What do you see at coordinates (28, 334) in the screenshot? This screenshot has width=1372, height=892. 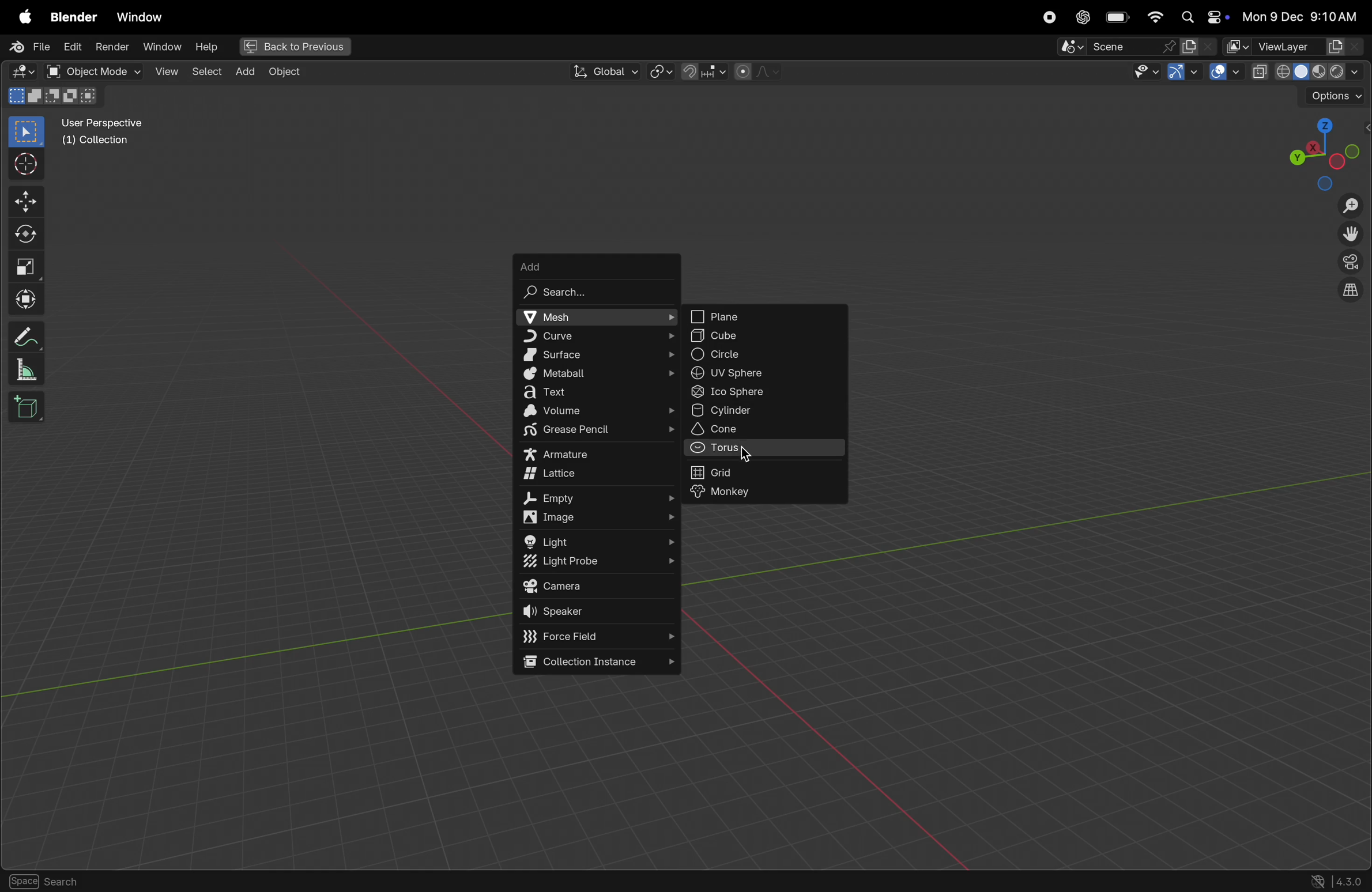 I see `annotate` at bounding box center [28, 334].